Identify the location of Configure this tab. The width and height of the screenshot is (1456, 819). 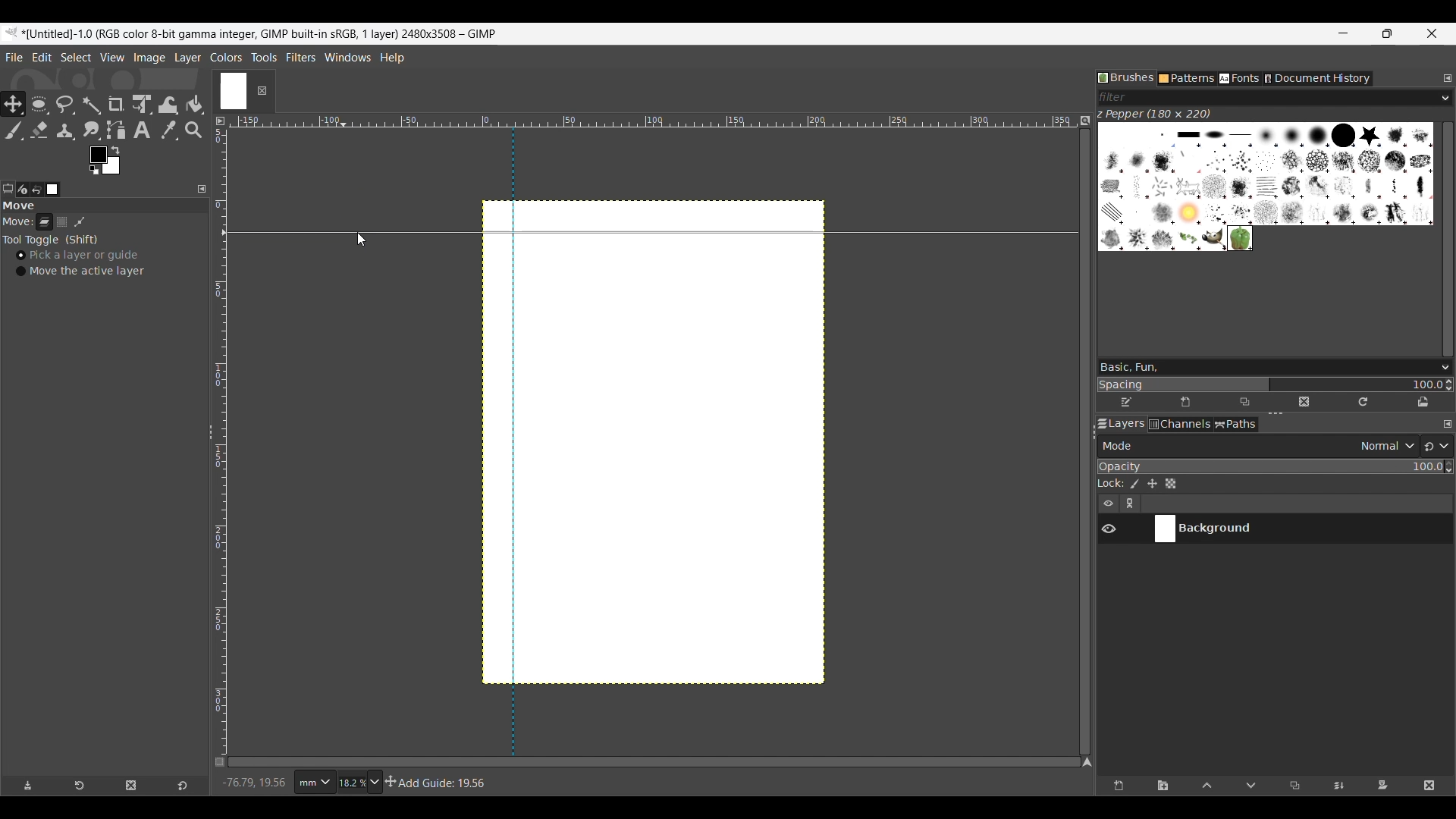
(202, 190).